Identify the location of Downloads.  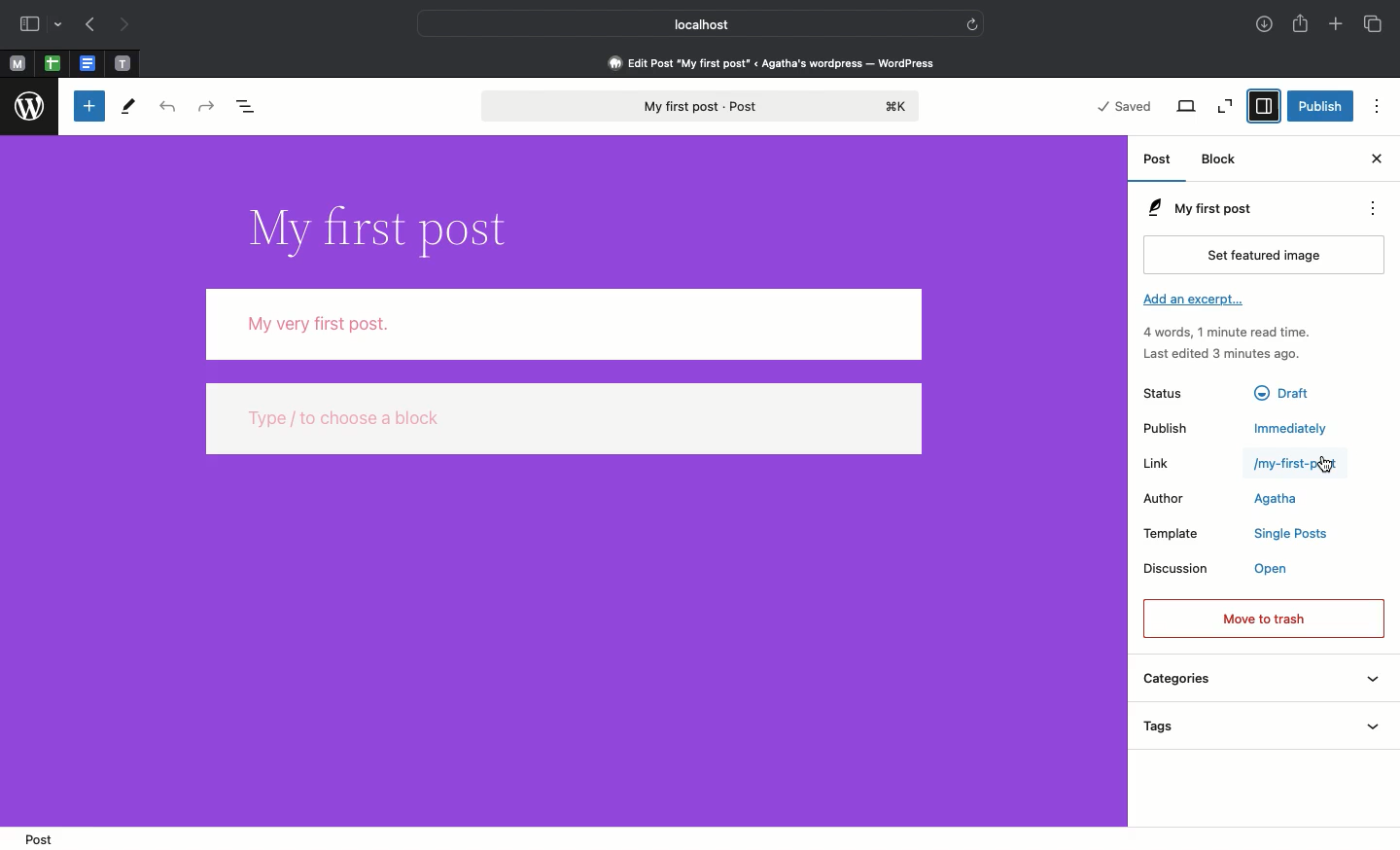
(1264, 24).